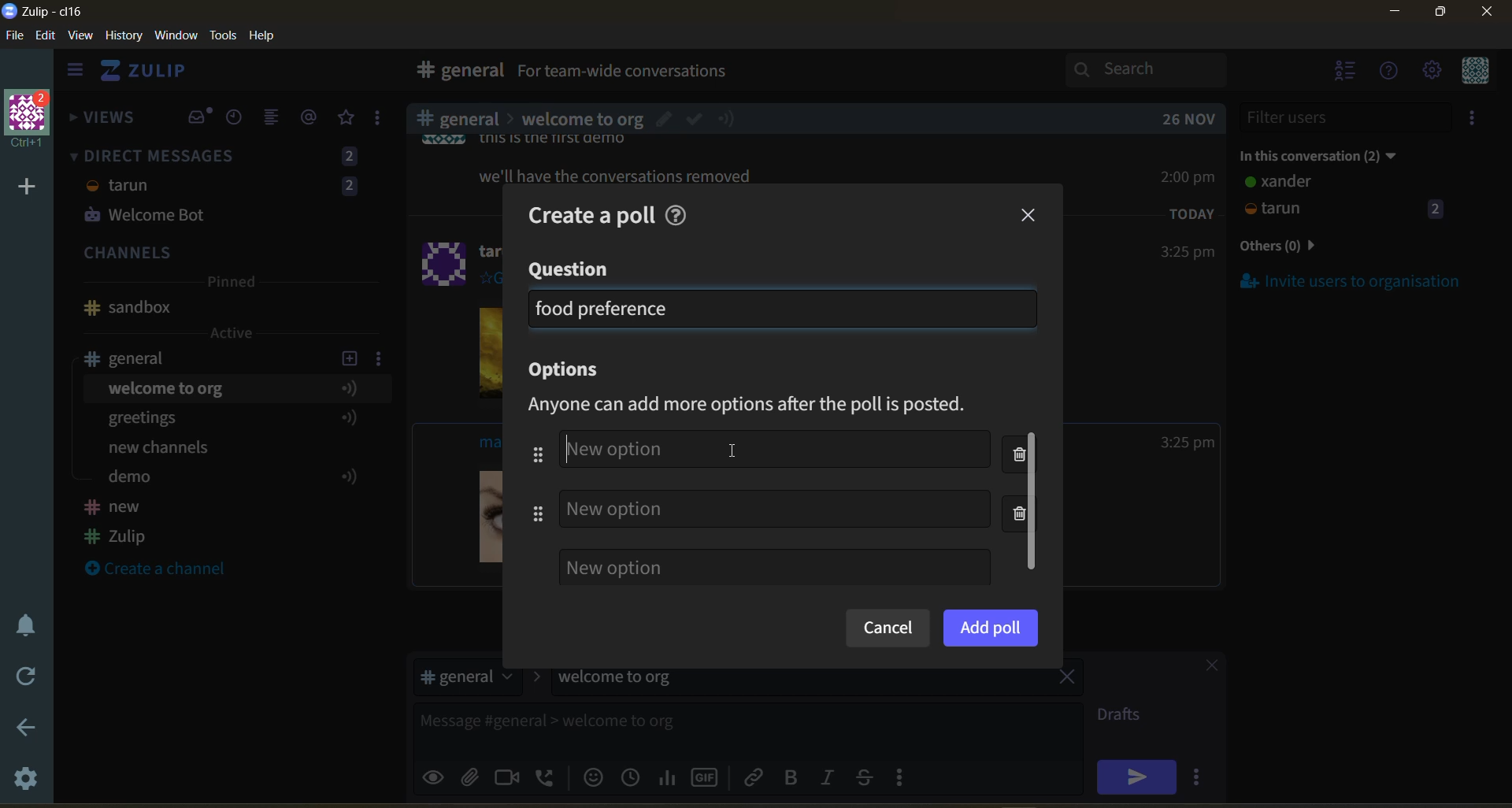 This screenshot has height=808, width=1512. Describe the element at coordinates (755, 776) in the screenshot. I see `link` at that location.